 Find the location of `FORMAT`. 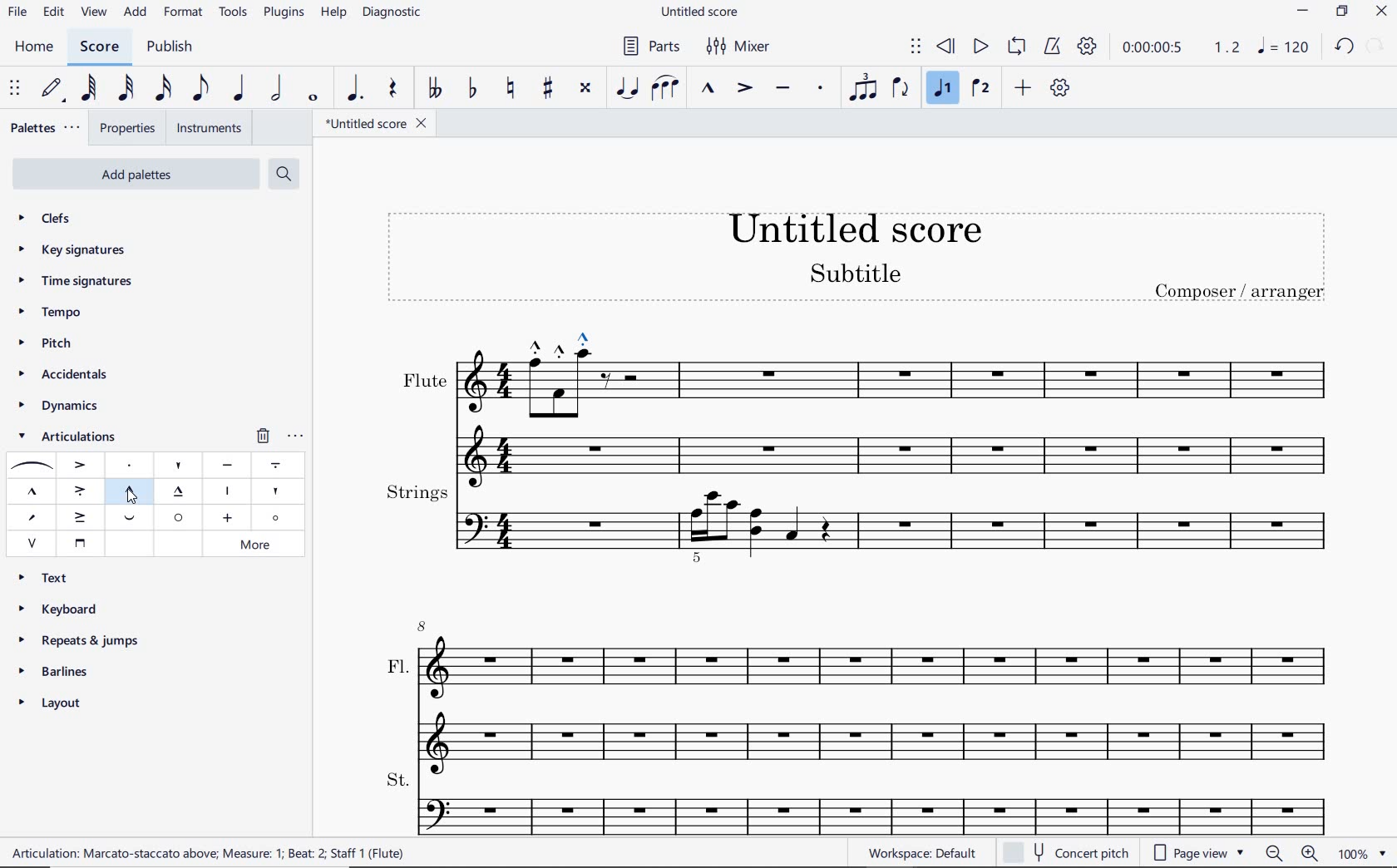

FORMAT is located at coordinates (186, 14).